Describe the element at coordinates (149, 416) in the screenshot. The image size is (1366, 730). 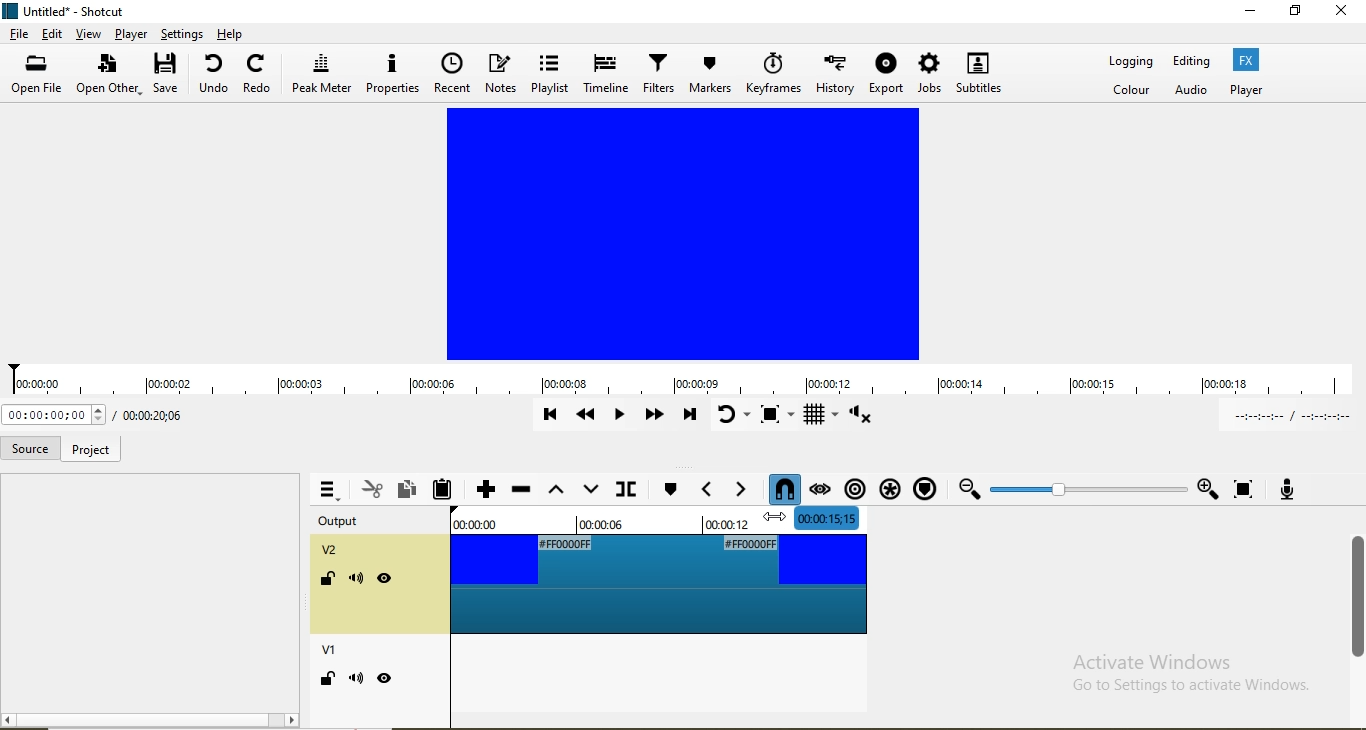
I see `Current position` at that location.